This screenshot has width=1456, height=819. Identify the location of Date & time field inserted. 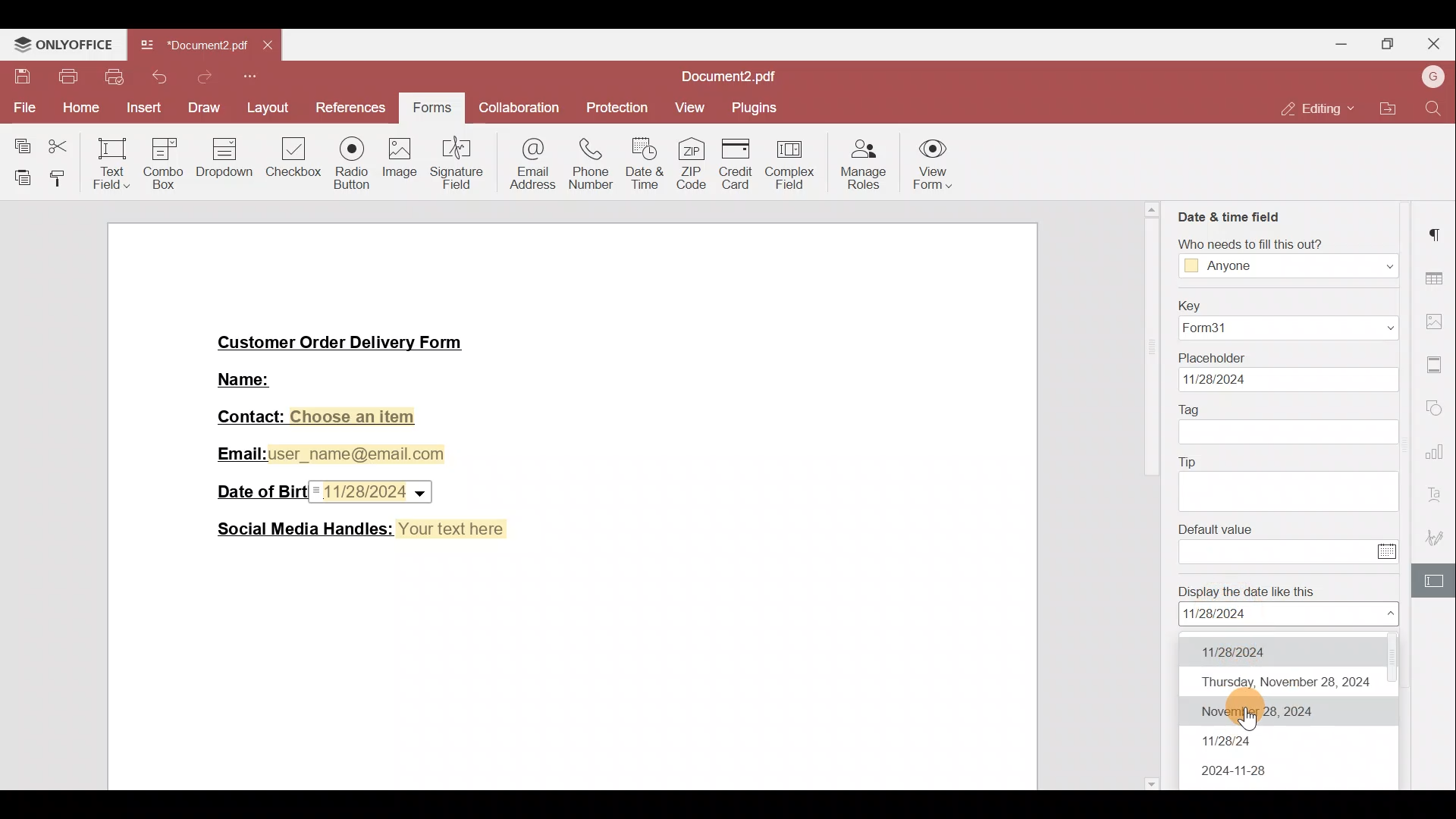
(374, 492).